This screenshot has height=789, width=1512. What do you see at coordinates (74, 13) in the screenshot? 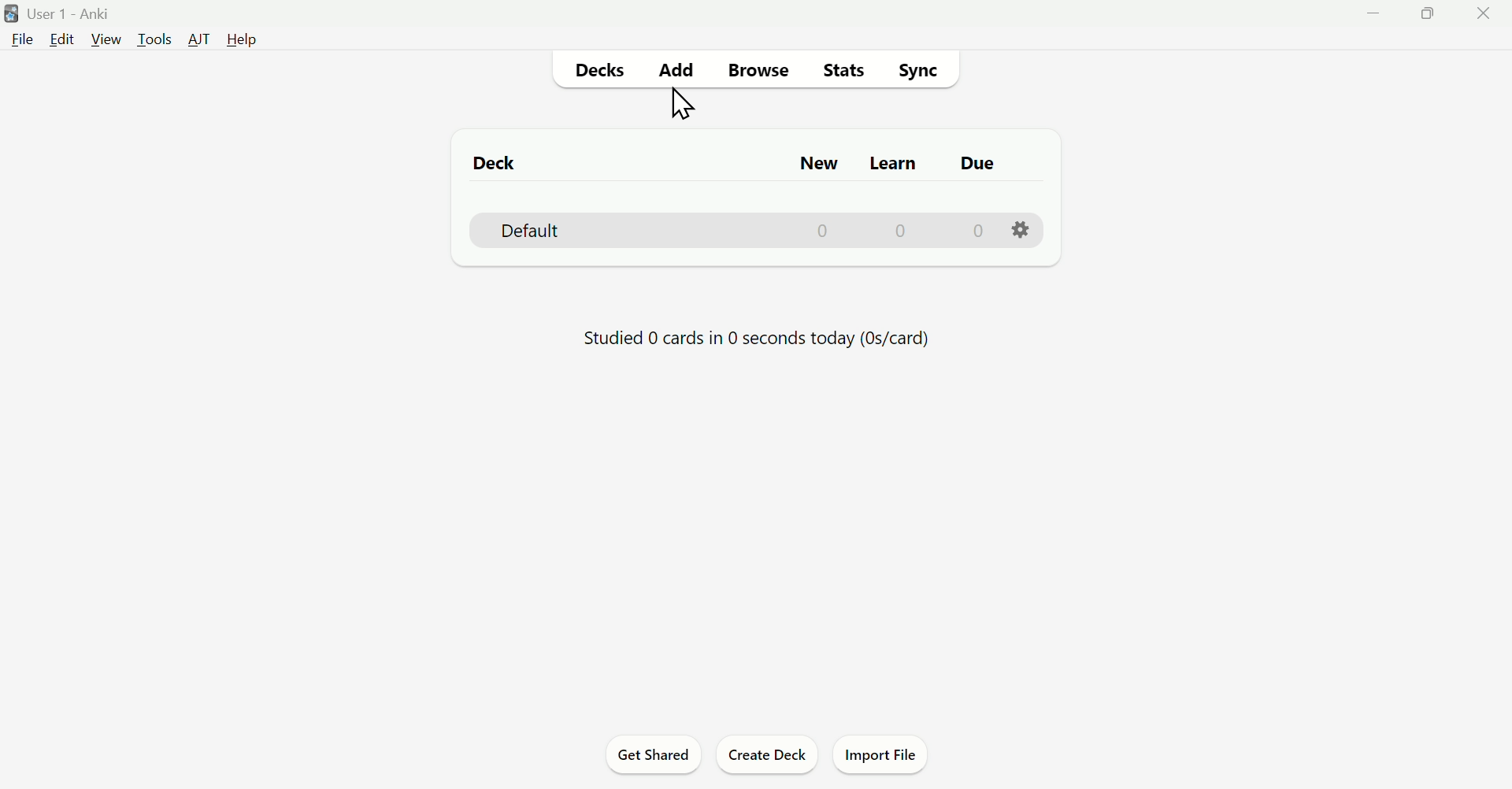
I see `User 1 - Anki` at bounding box center [74, 13].